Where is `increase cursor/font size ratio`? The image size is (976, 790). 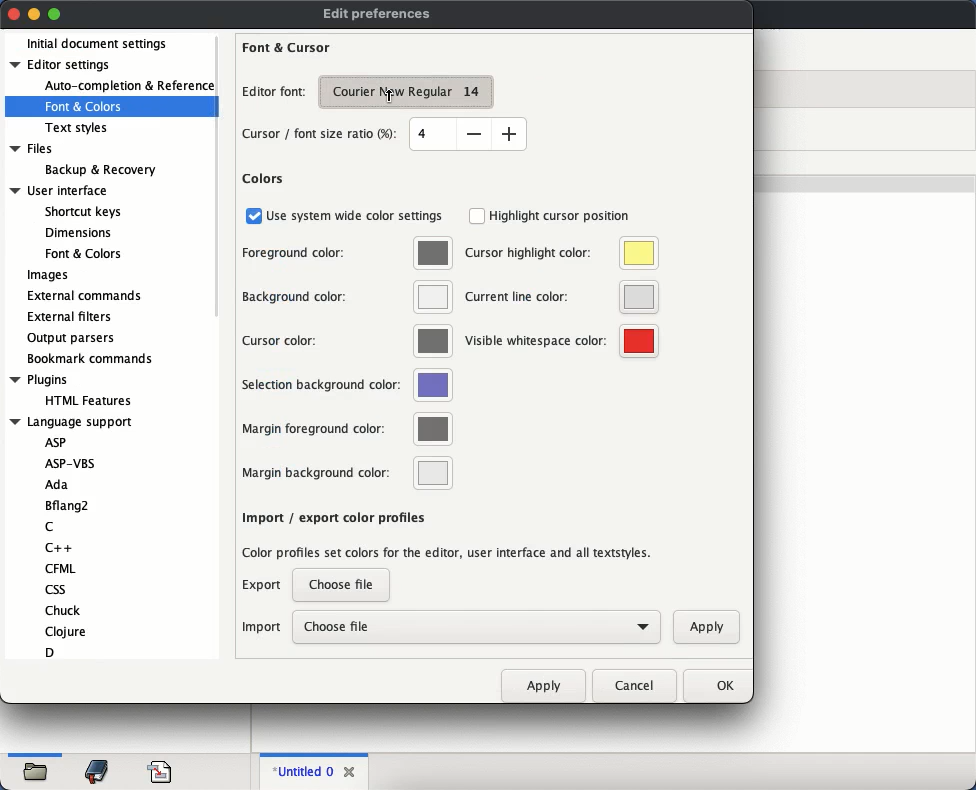 increase cursor/font size ratio is located at coordinates (509, 133).